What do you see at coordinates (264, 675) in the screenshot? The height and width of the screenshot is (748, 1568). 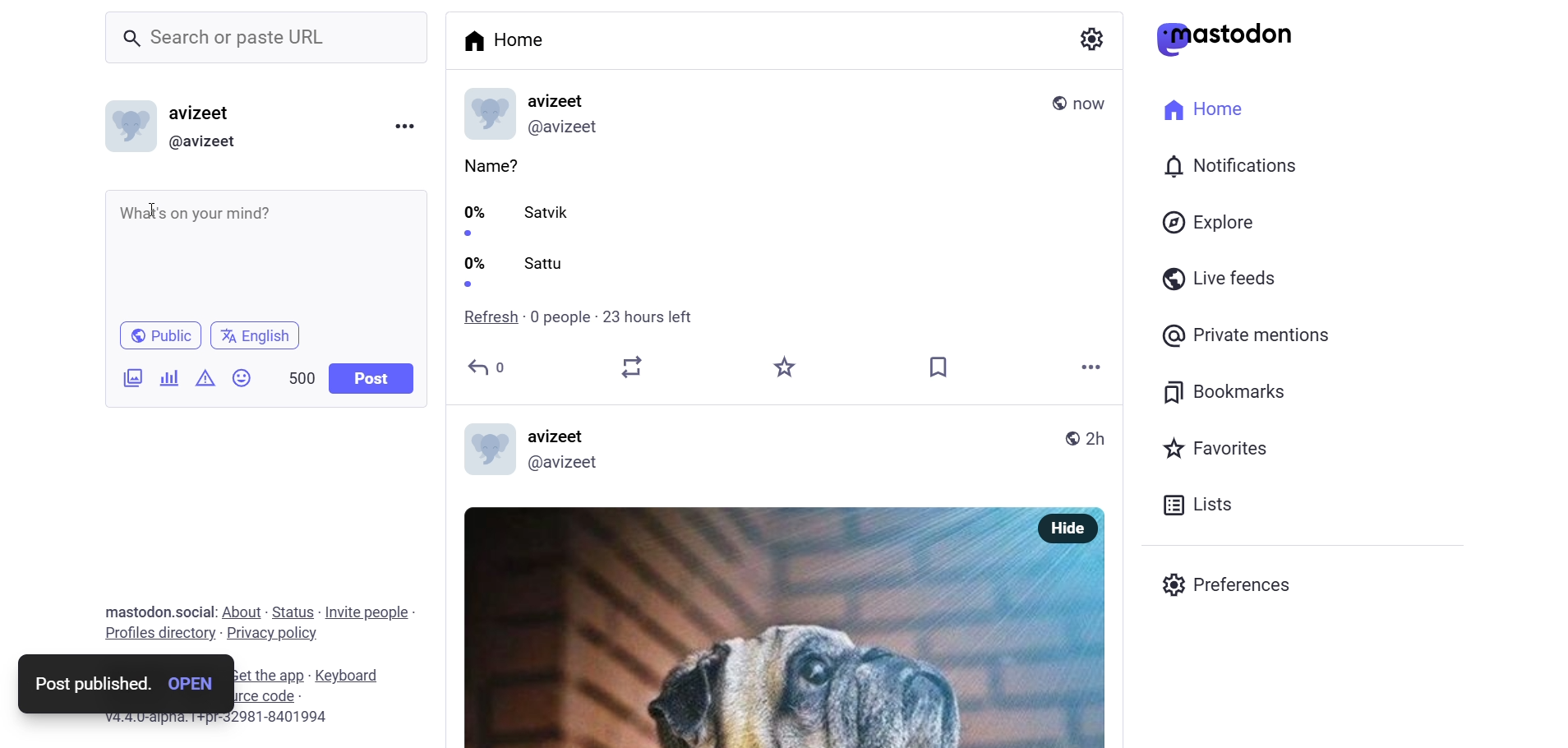 I see `get the app` at bounding box center [264, 675].